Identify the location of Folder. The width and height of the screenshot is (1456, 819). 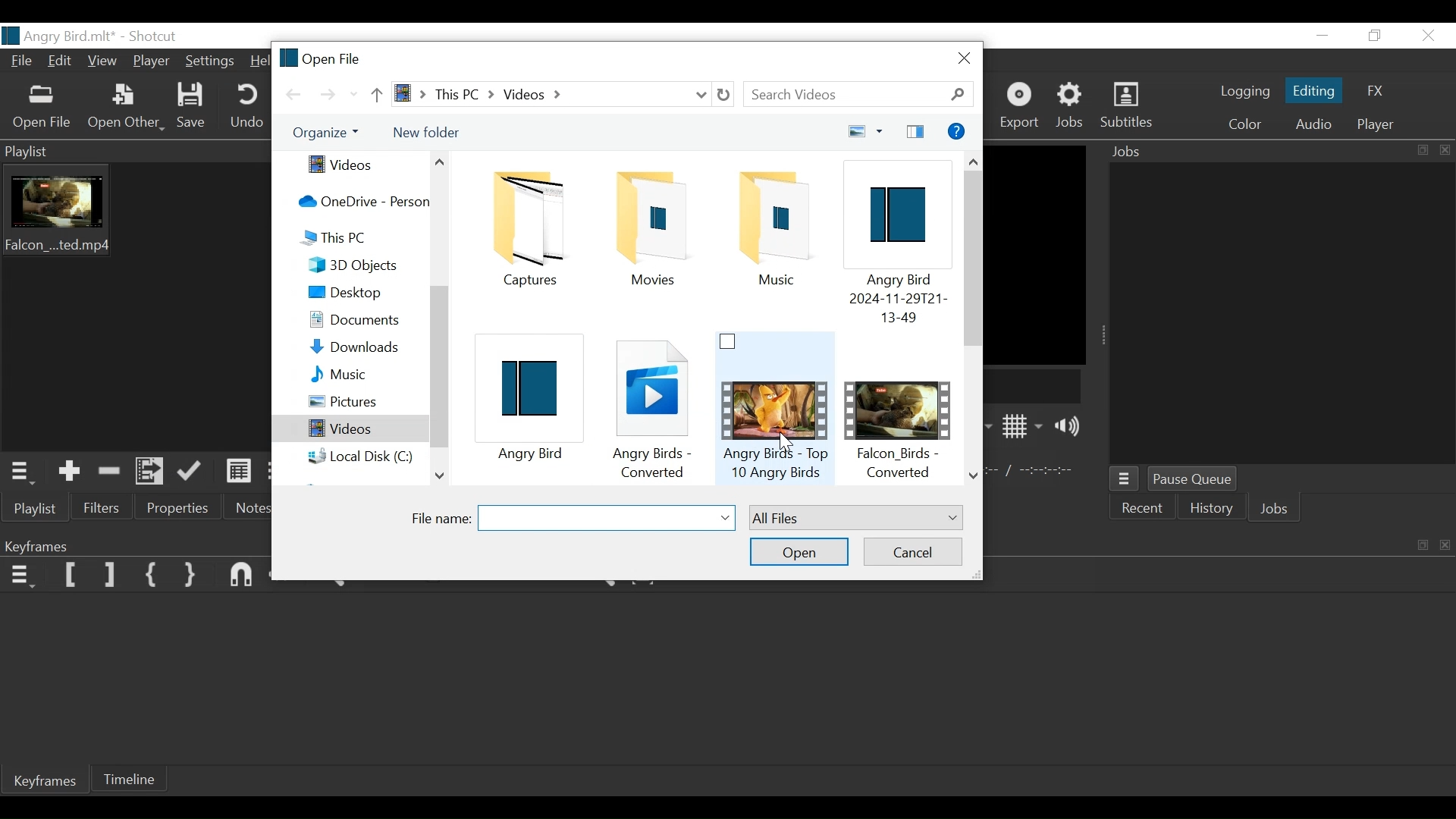
(529, 225).